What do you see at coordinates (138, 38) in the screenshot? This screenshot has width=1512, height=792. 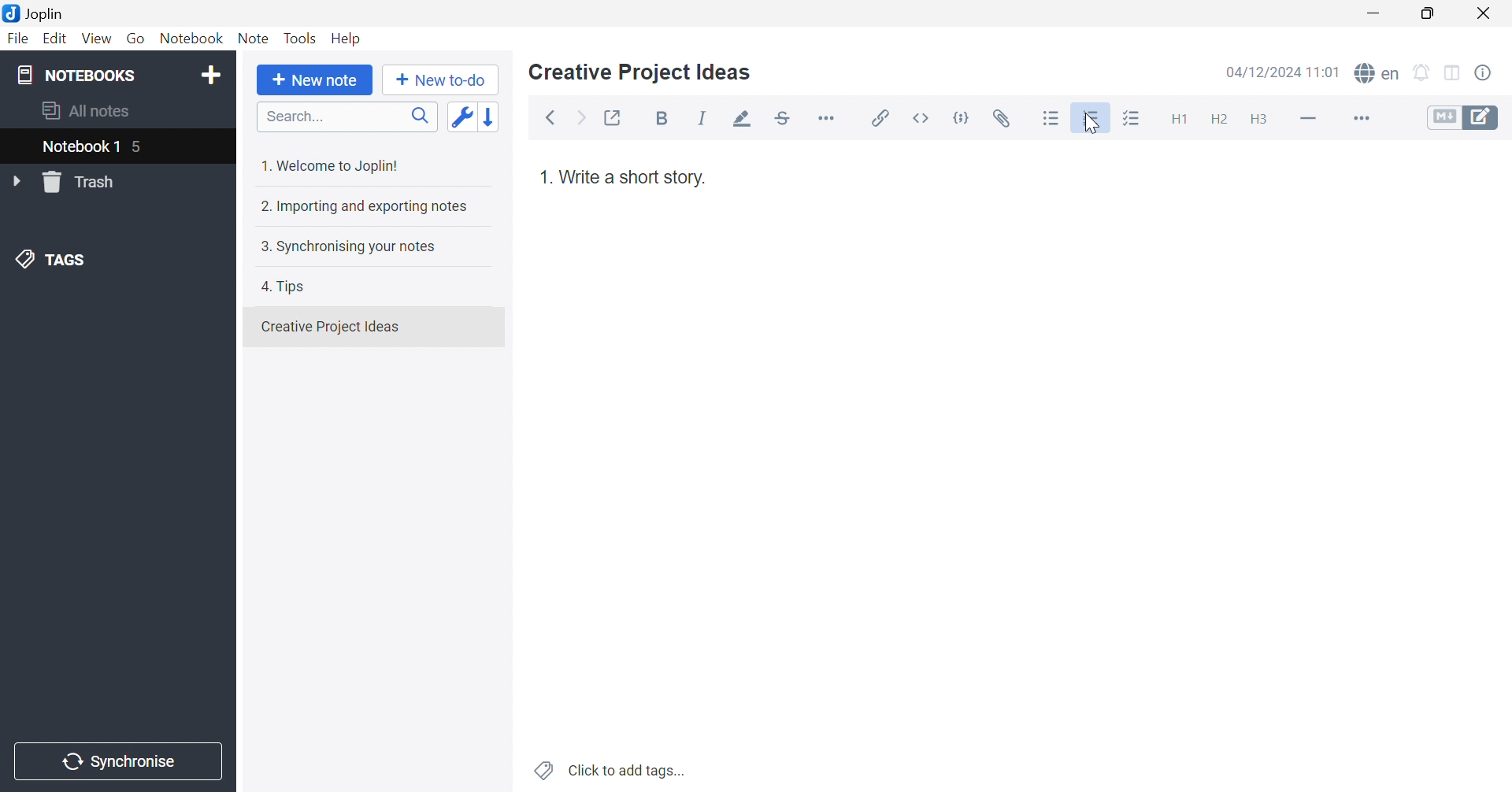 I see `Go` at bounding box center [138, 38].